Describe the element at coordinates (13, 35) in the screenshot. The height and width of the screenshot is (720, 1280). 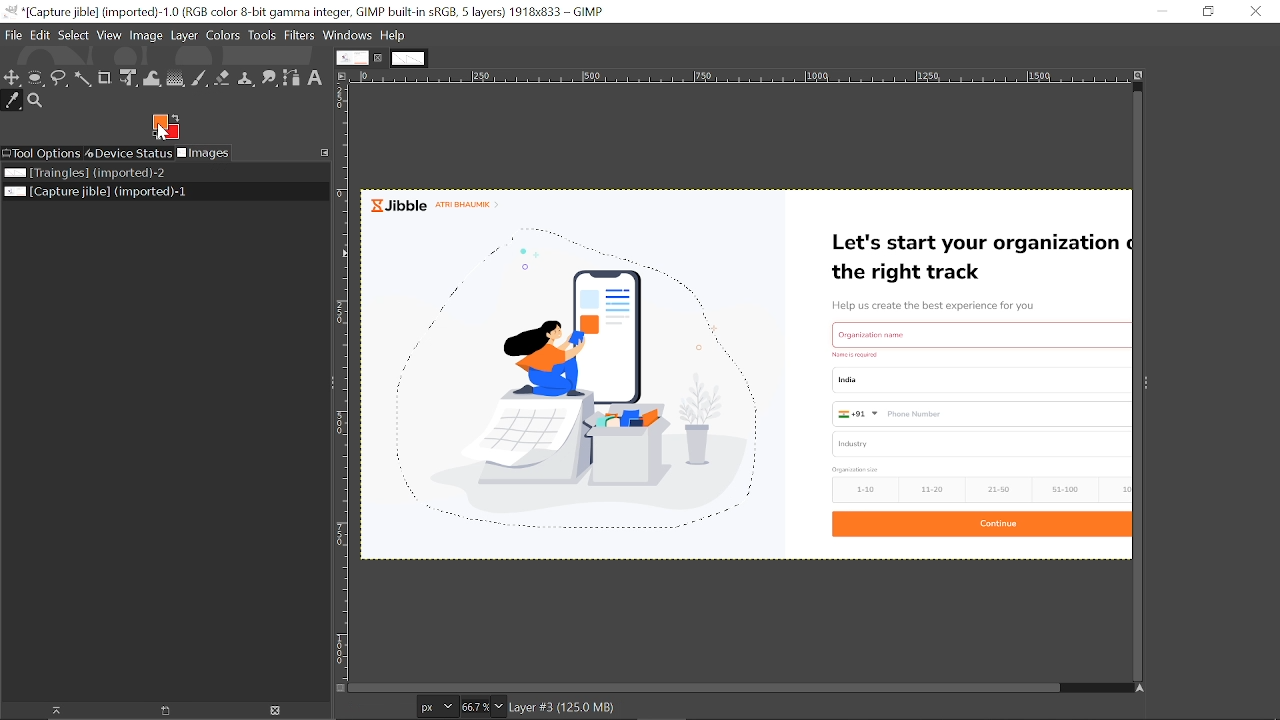
I see `File` at that location.